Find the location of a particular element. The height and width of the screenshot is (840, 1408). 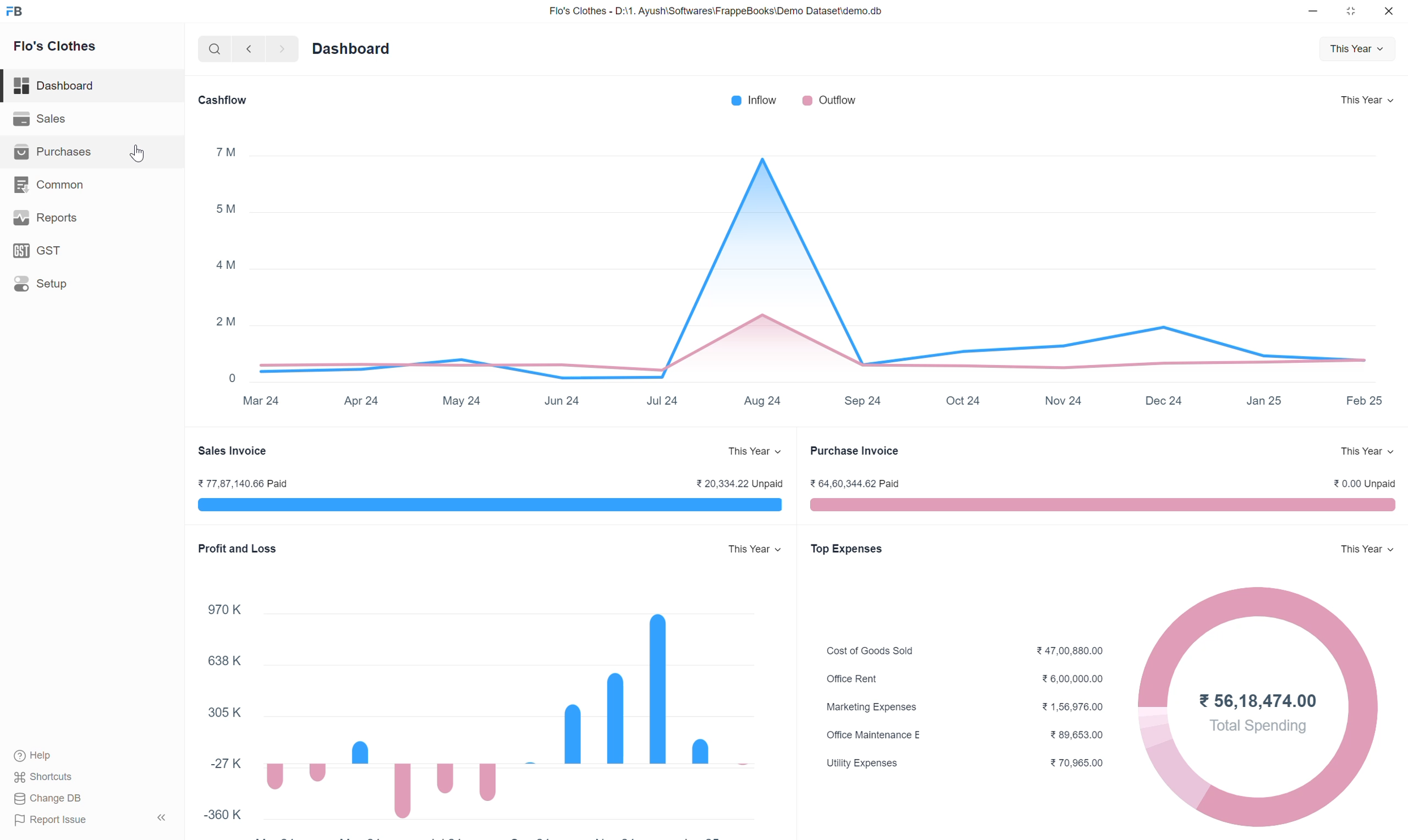

Setup is located at coordinates (41, 284).